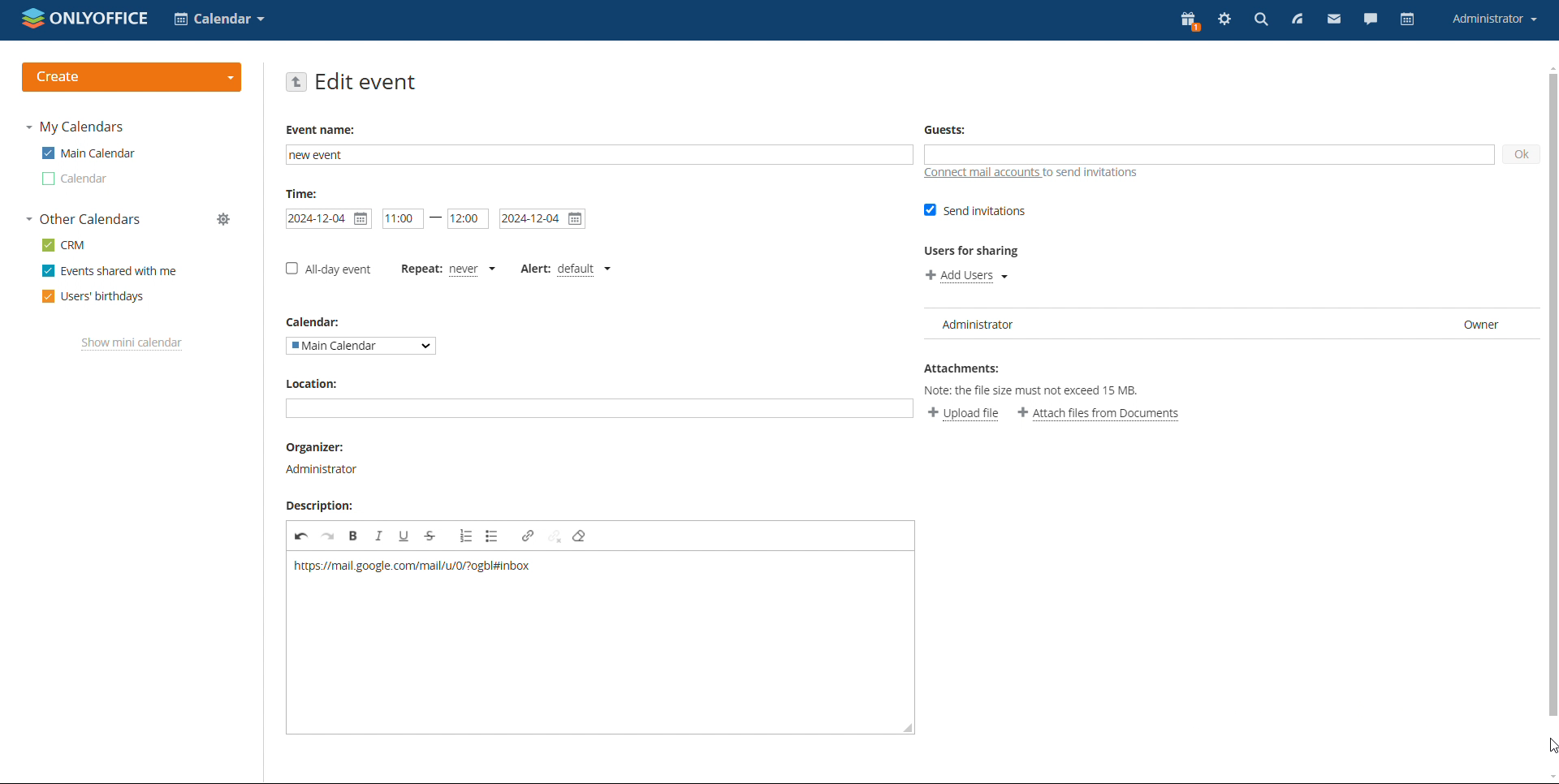  I want to click on insert/remove numbered list, so click(465, 535).